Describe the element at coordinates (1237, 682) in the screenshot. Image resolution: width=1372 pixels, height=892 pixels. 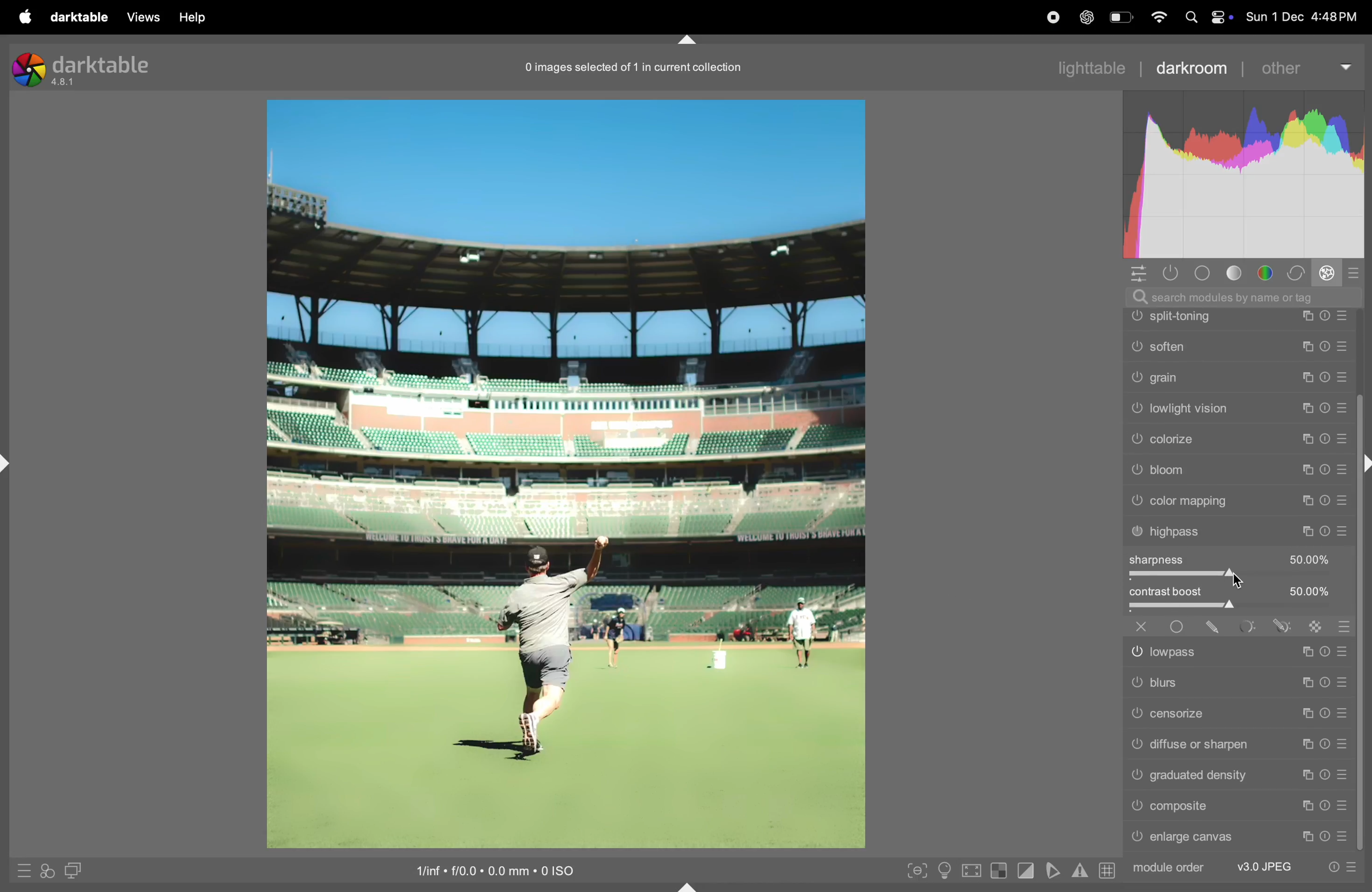
I see `blurs` at that location.